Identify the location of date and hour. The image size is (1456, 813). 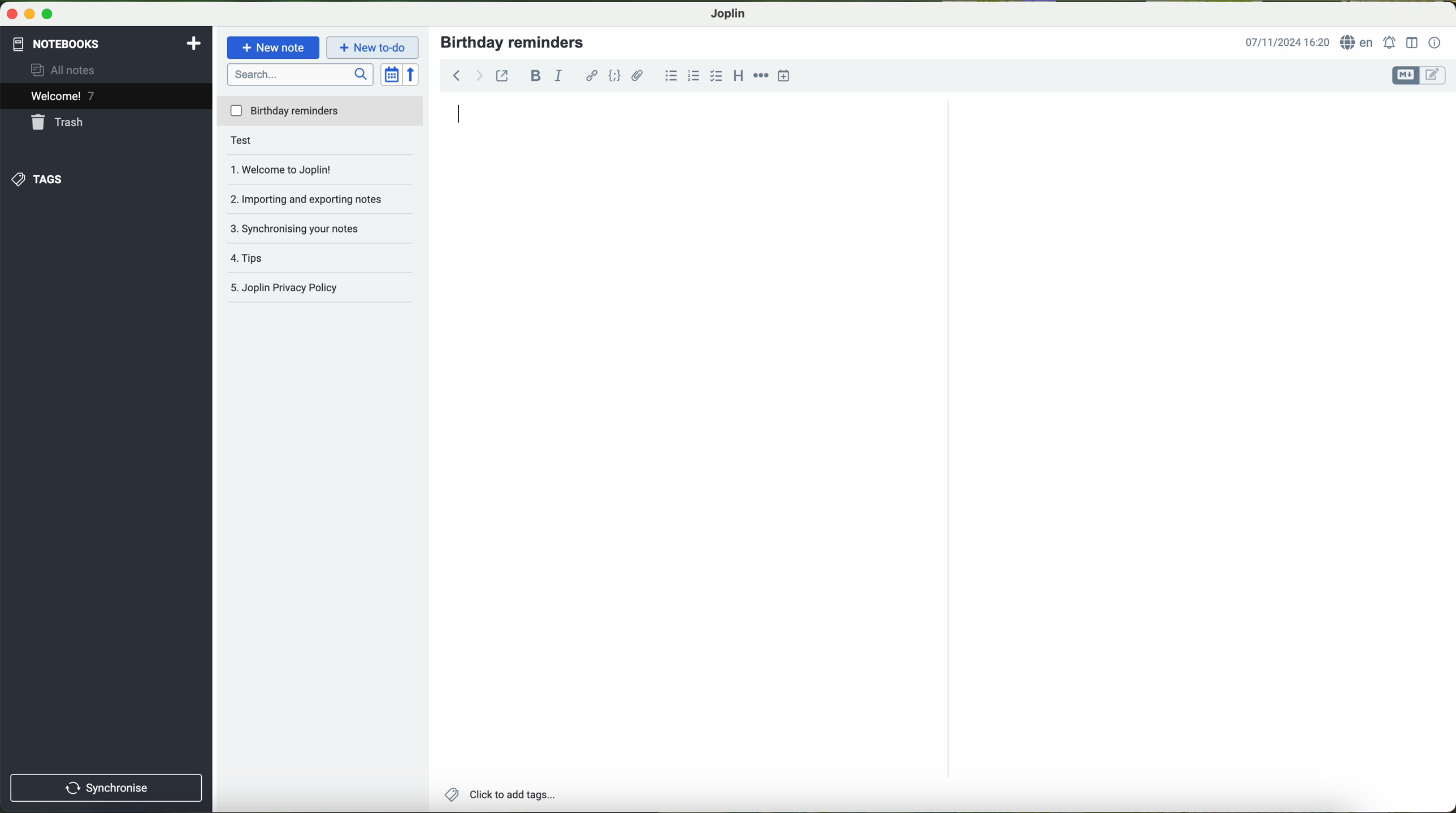
(1288, 42).